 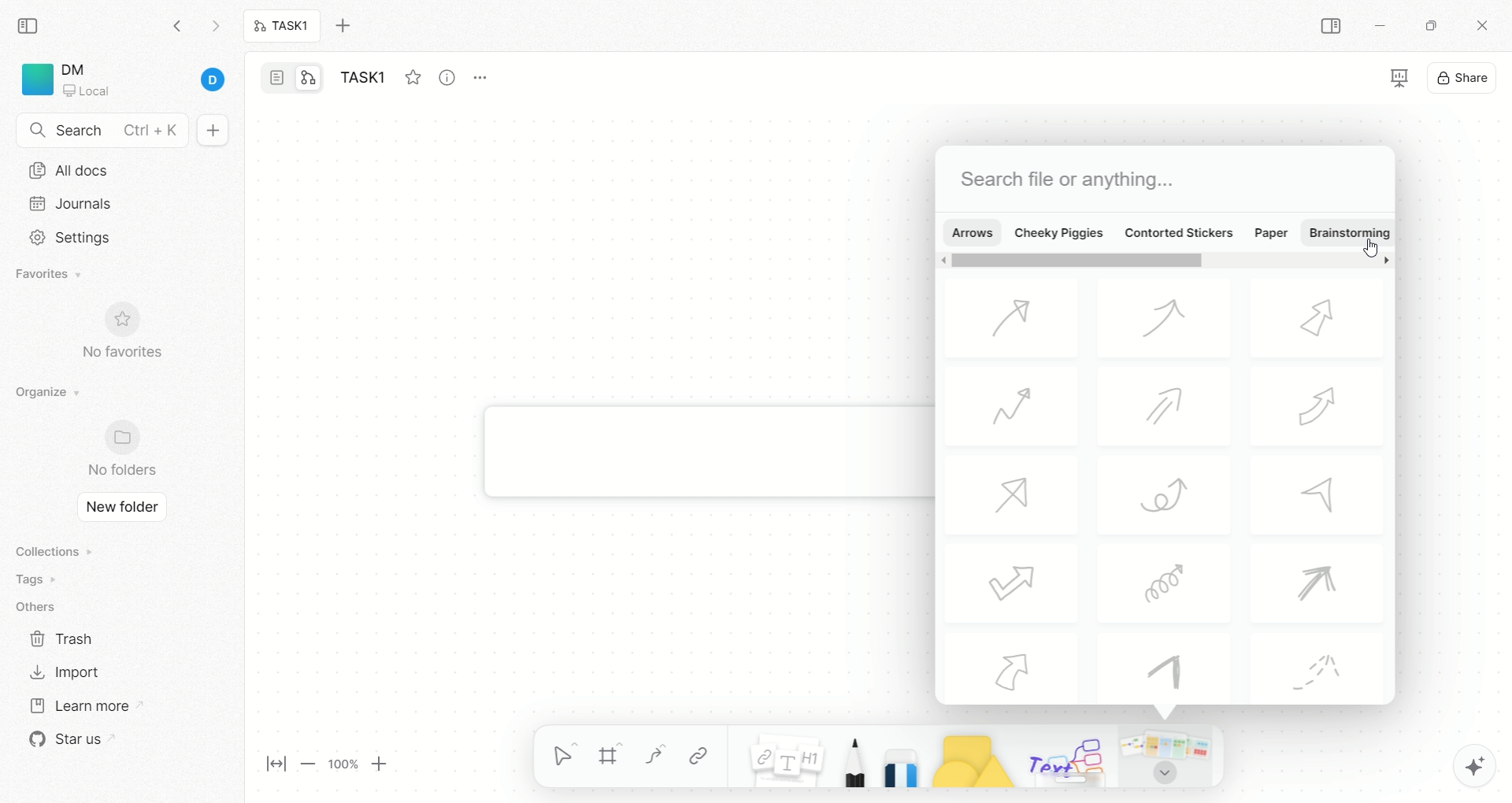 I want to click on all docs, so click(x=69, y=170).